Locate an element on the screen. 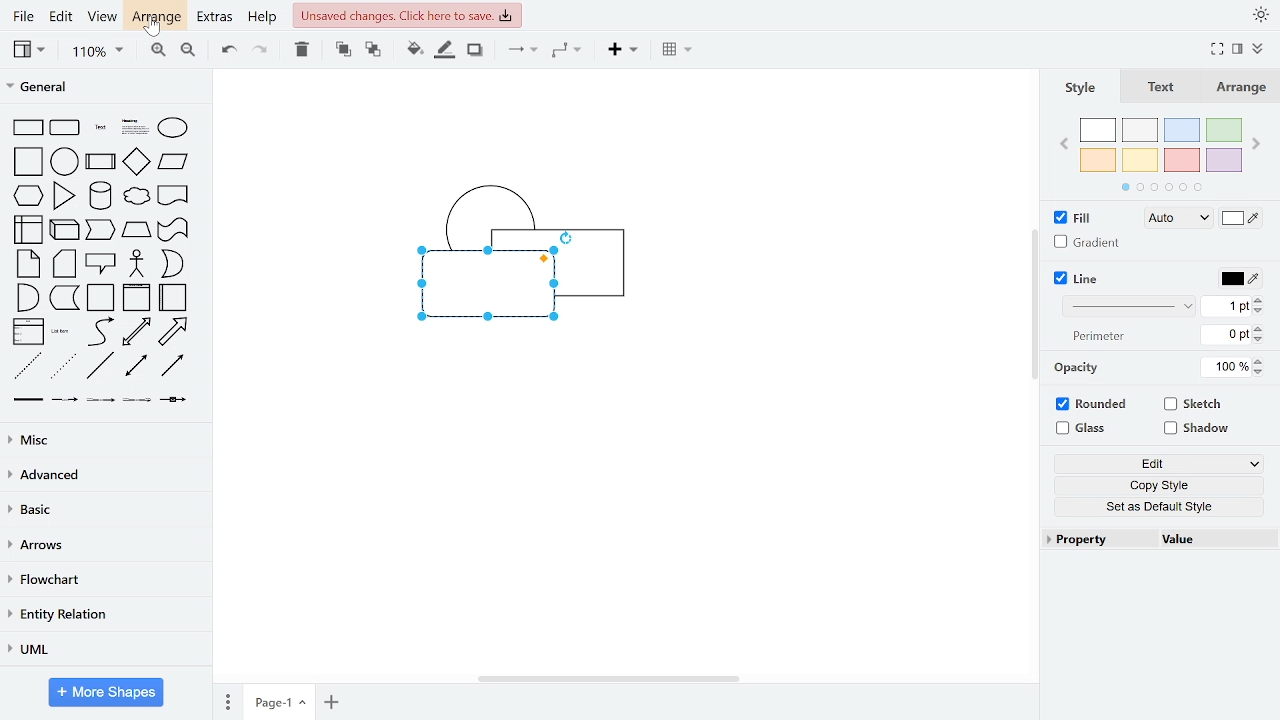 This screenshot has width=1280, height=720. triangle is located at coordinates (62, 196).